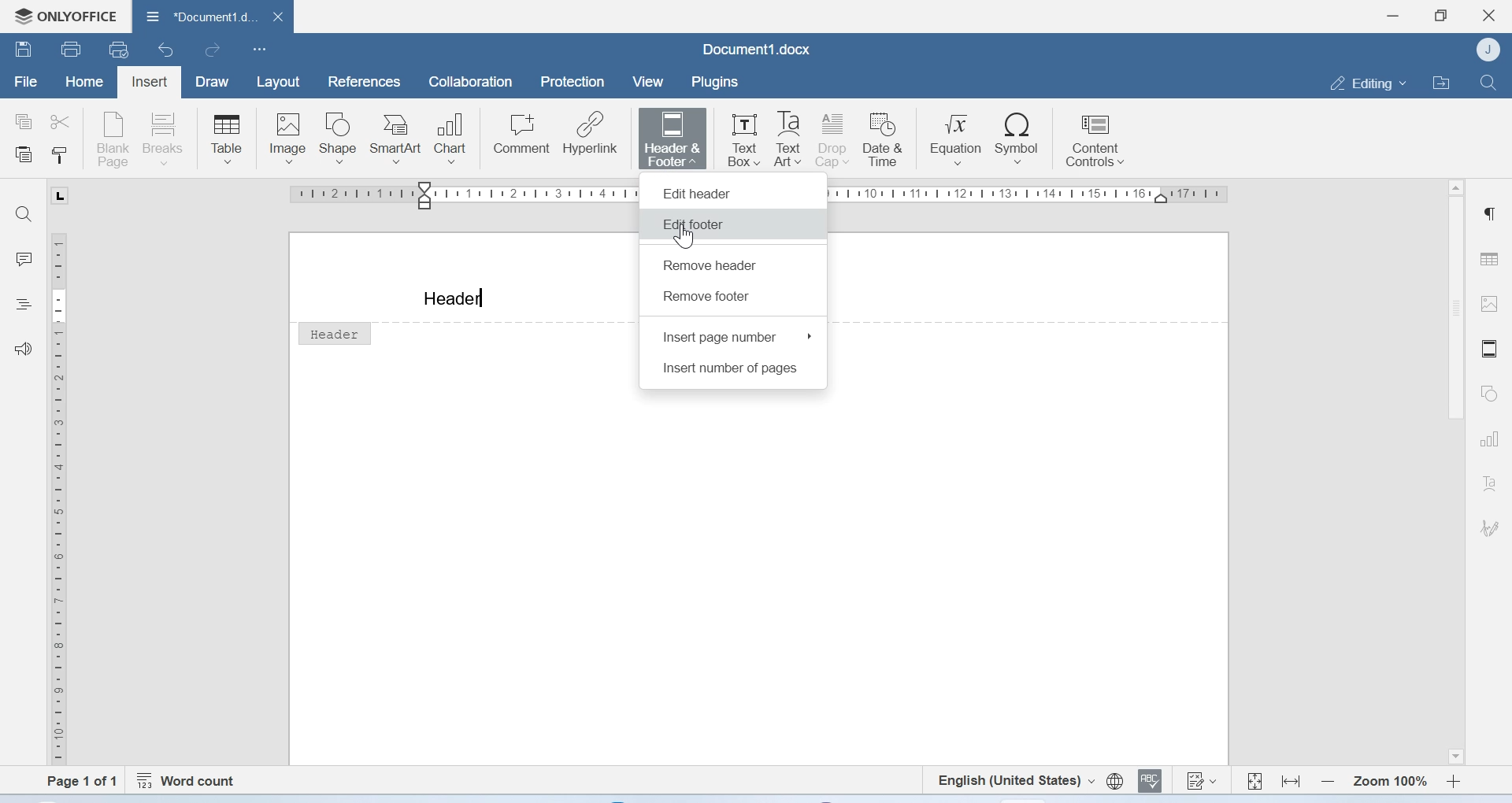  What do you see at coordinates (190, 778) in the screenshot?
I see `Word count` at bounding box center [190, 778].